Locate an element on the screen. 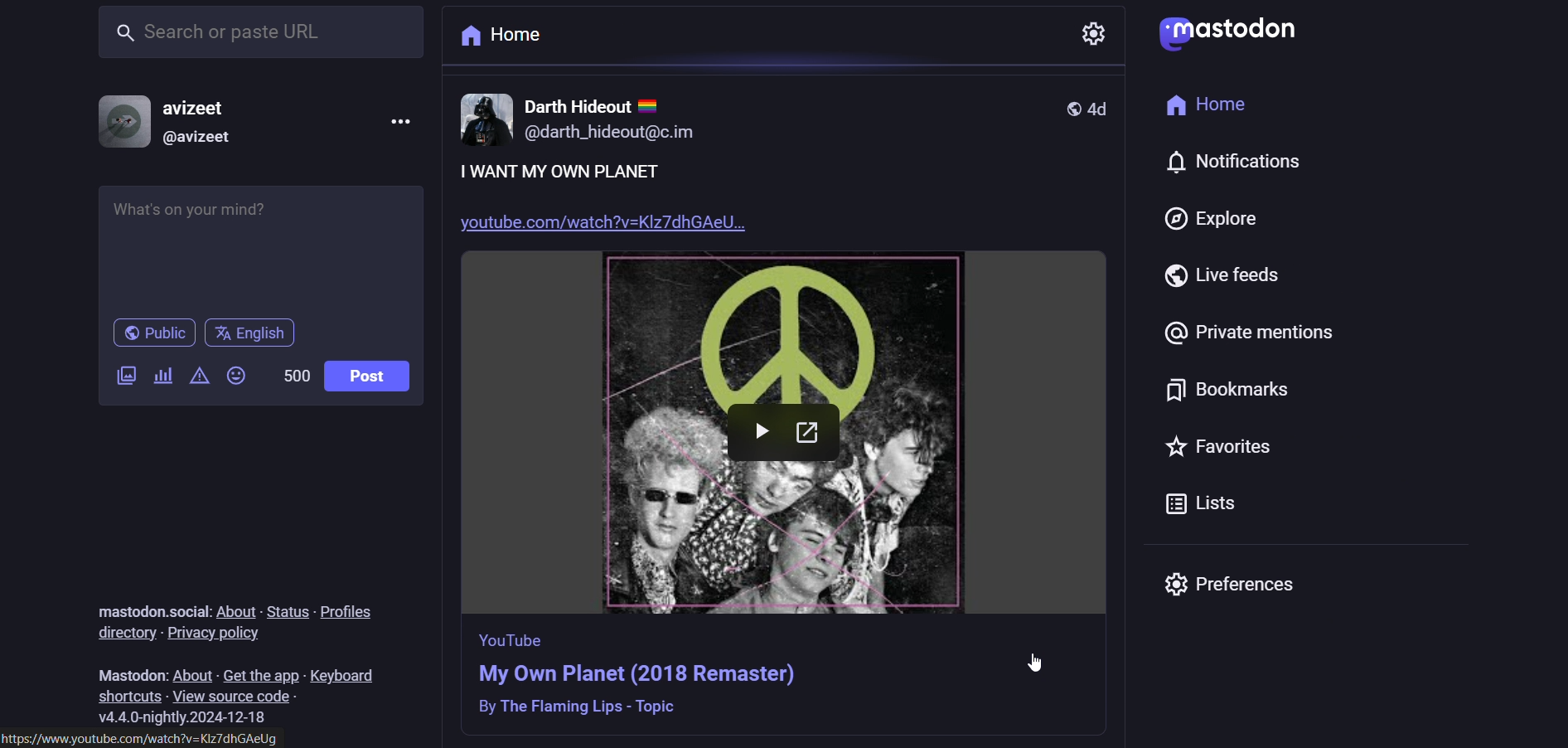 The image size is (1568, 748). add a poll is located at coordinates (163, 378).